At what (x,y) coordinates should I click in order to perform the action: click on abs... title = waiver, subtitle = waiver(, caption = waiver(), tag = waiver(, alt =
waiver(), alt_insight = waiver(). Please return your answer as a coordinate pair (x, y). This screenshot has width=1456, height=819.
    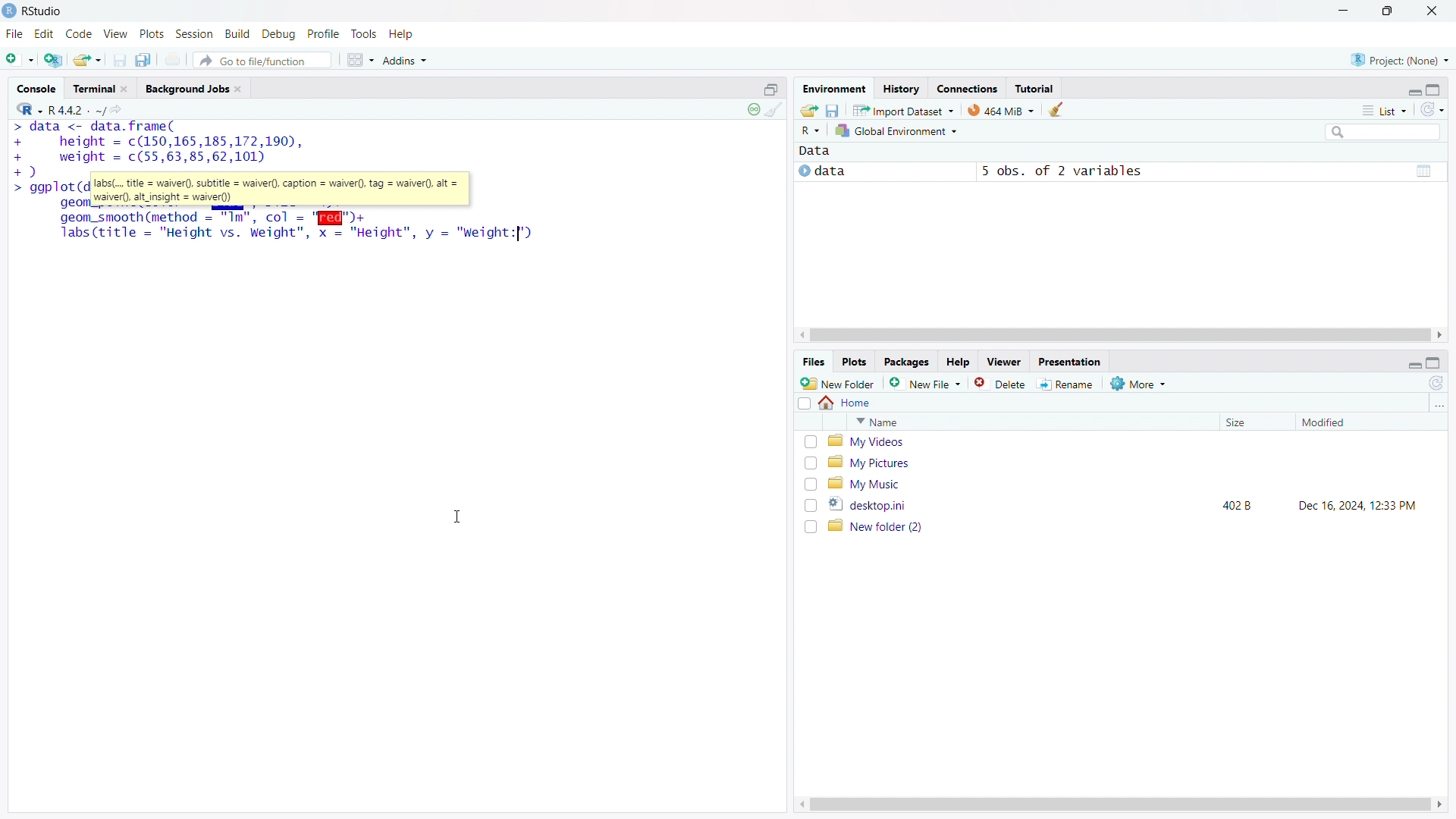
    Looking at the image, I should click on (281, 190).